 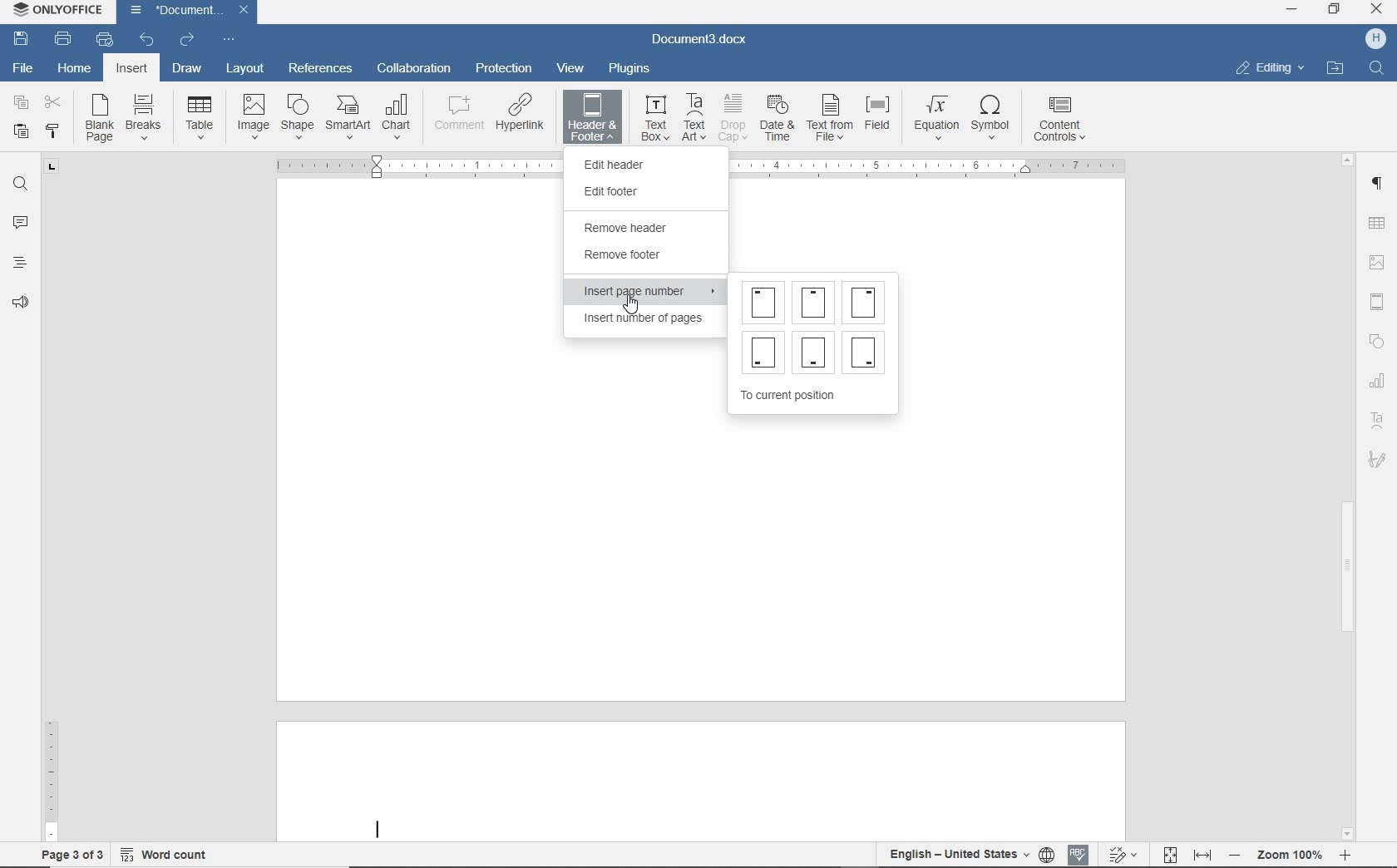 What do you see at coordinates (572, 68) in the screenshot?
I see `VIEW` at bounding box center [572, 68].